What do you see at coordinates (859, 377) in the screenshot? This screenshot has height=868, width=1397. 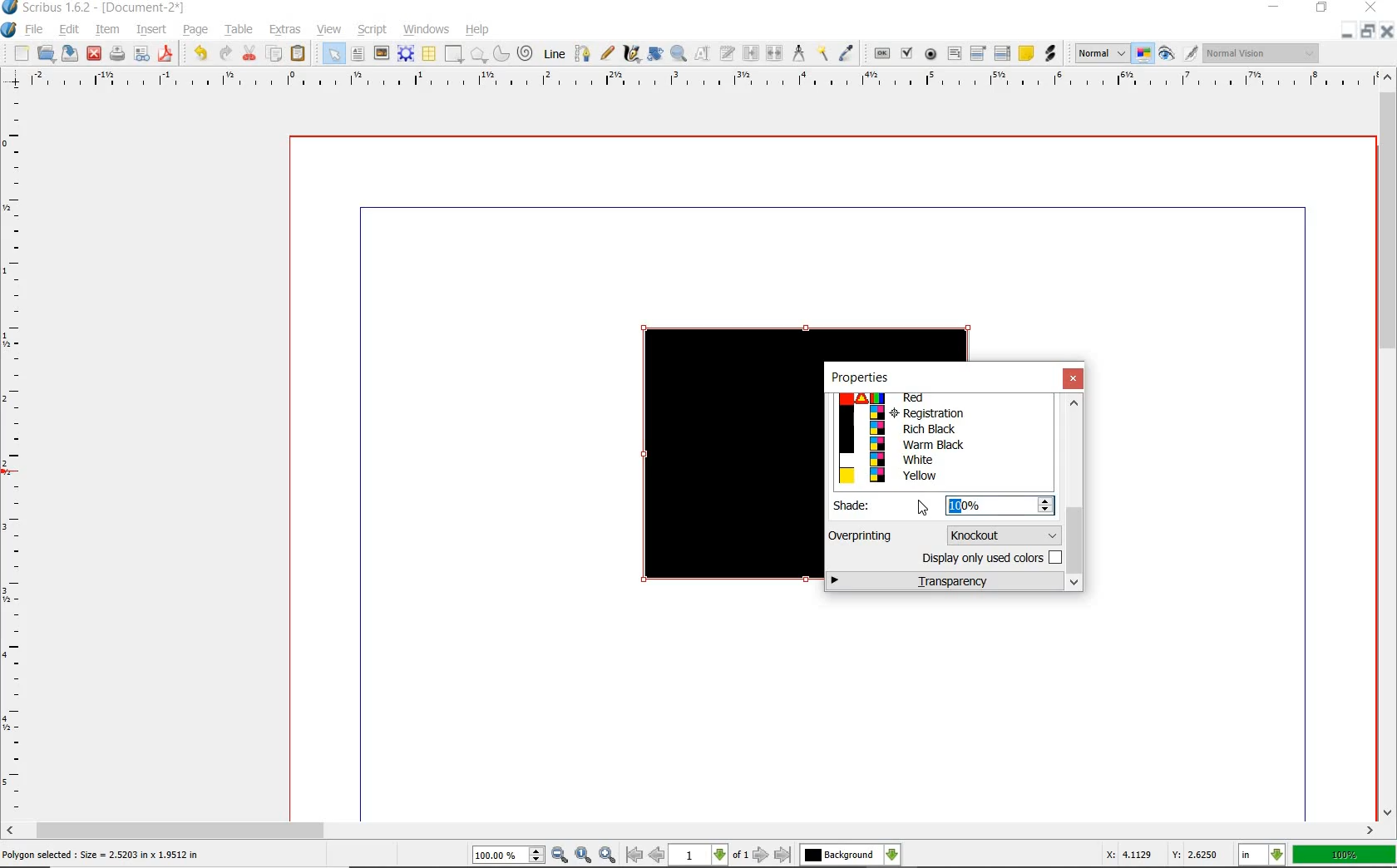 I see `properties` at bounding box center [859, 377].